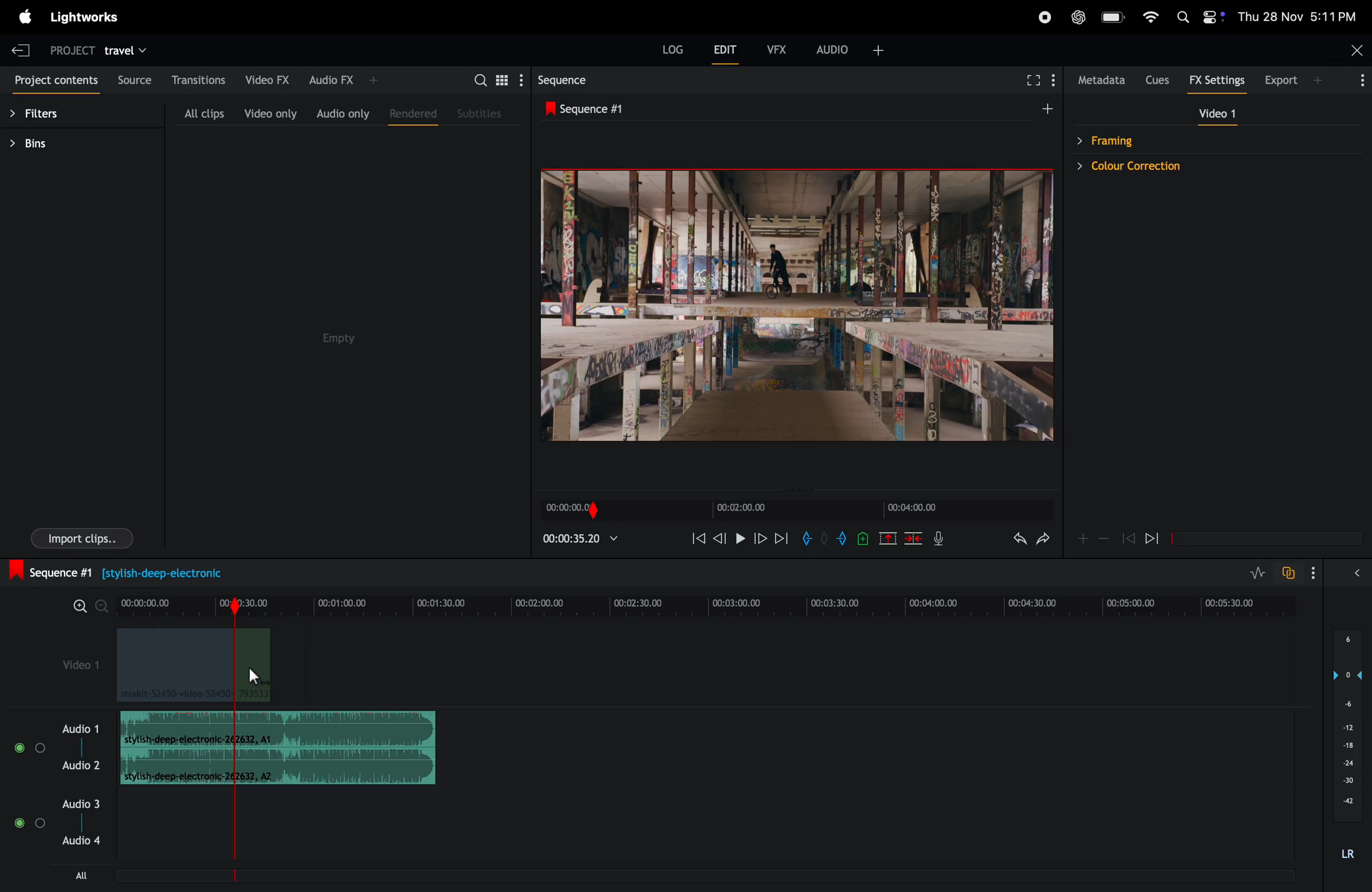  What do you see at coordinates (1289, 573) in the screenshot?
I see `toggle auto sync` at bounding box center [1289, 573].